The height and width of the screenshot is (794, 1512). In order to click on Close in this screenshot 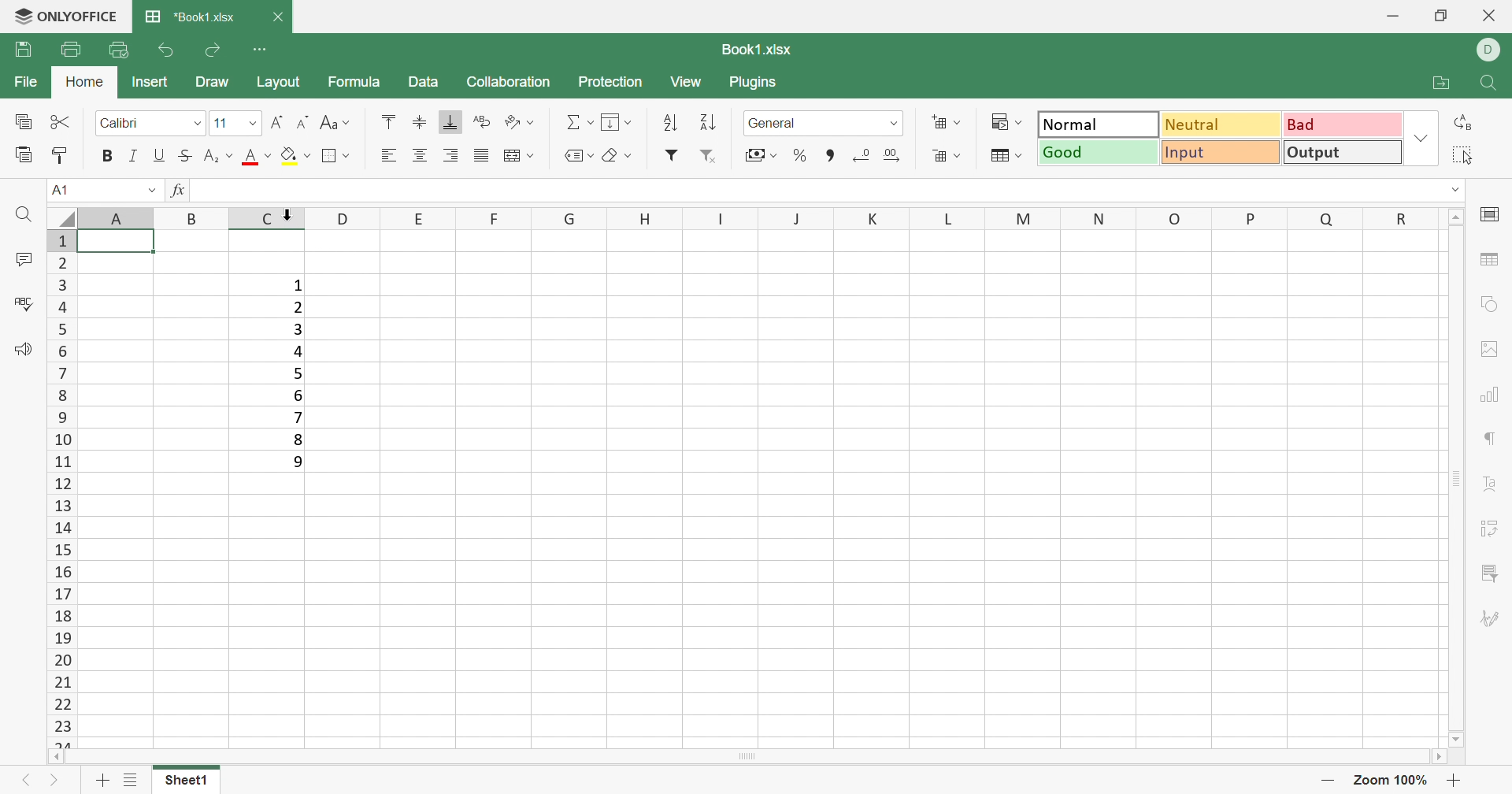, I will do `click(280, 17)`.